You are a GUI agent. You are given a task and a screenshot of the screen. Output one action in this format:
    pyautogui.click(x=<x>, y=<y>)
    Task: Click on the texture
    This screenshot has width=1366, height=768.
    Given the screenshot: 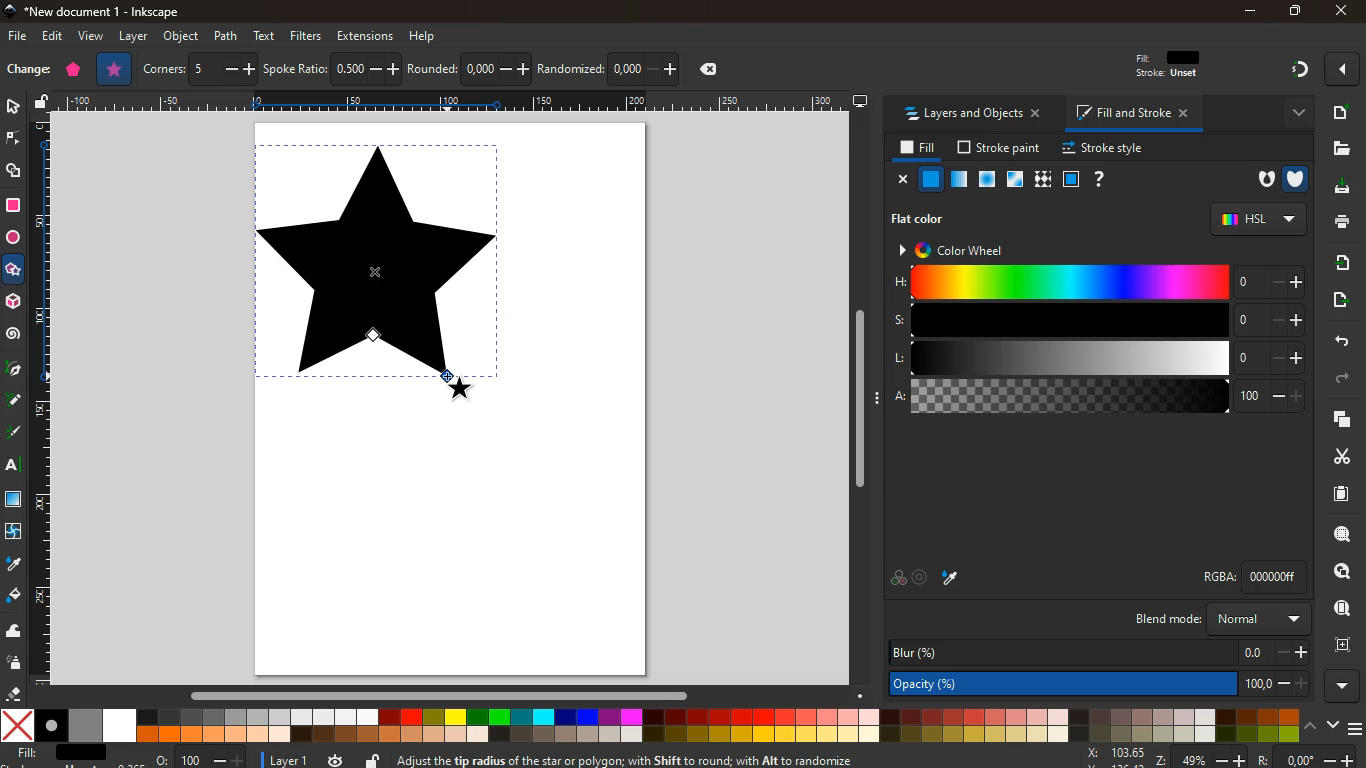 What is the action you would take?
    pyautogui.click(x=1043, y=177)
    